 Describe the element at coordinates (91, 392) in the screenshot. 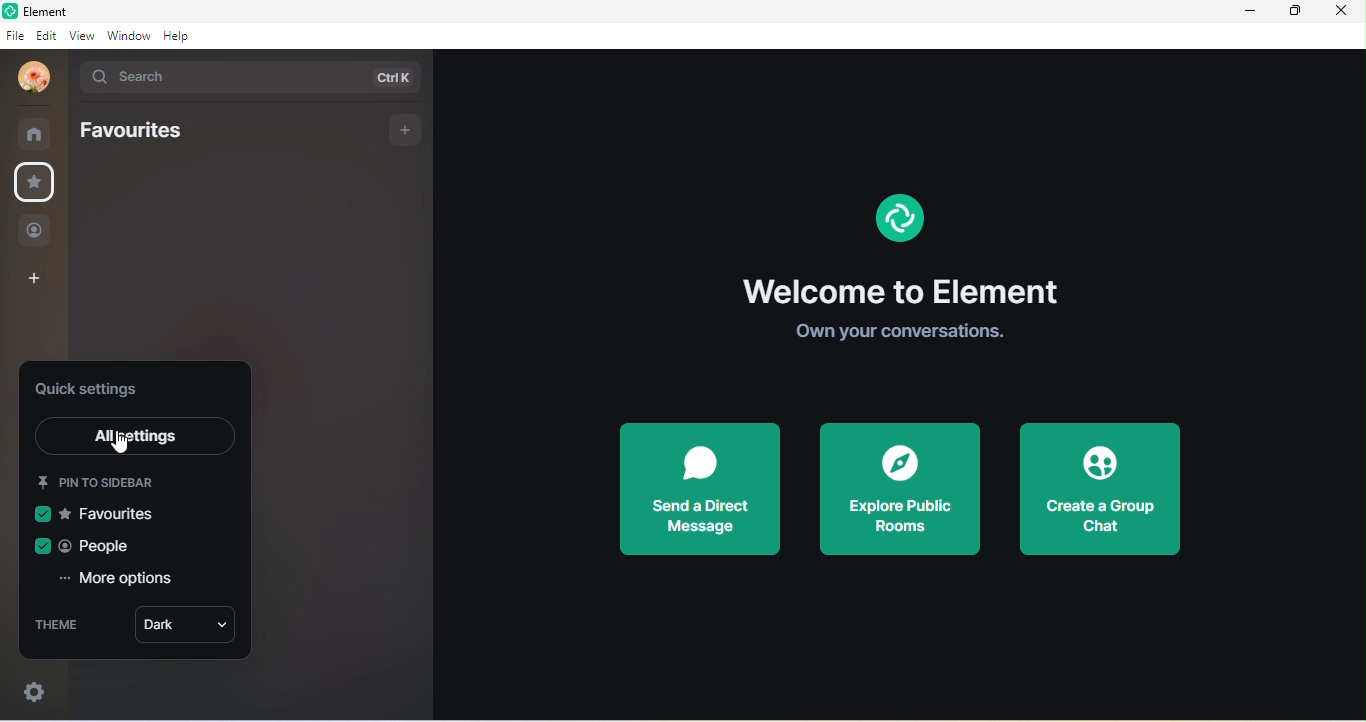

I see `quick setting` at that location.